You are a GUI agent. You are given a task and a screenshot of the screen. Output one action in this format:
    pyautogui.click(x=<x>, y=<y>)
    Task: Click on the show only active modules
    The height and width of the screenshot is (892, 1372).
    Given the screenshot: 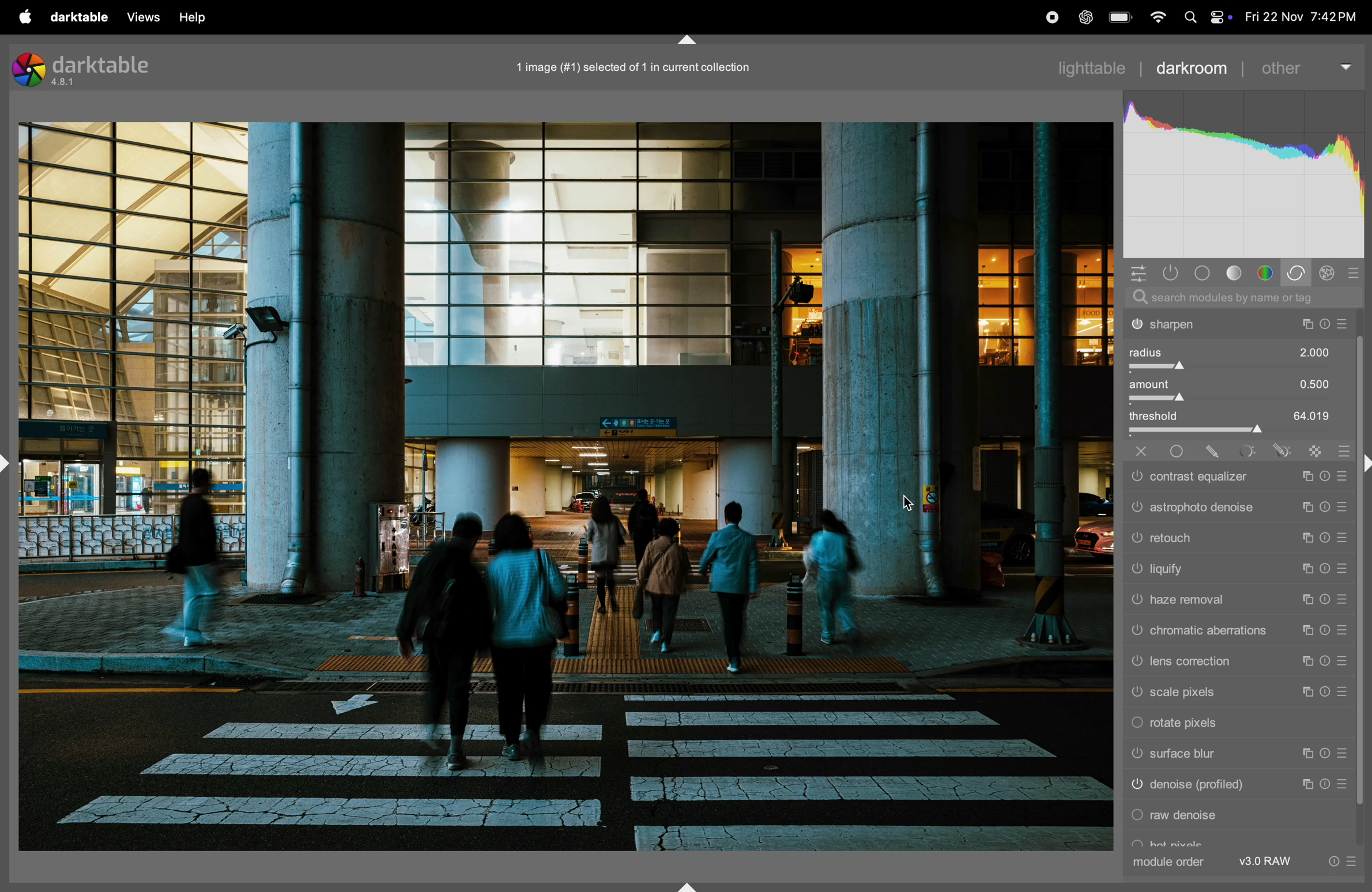 What is the action you would take?
    pyautogui.click(x=1171, y=273)
    